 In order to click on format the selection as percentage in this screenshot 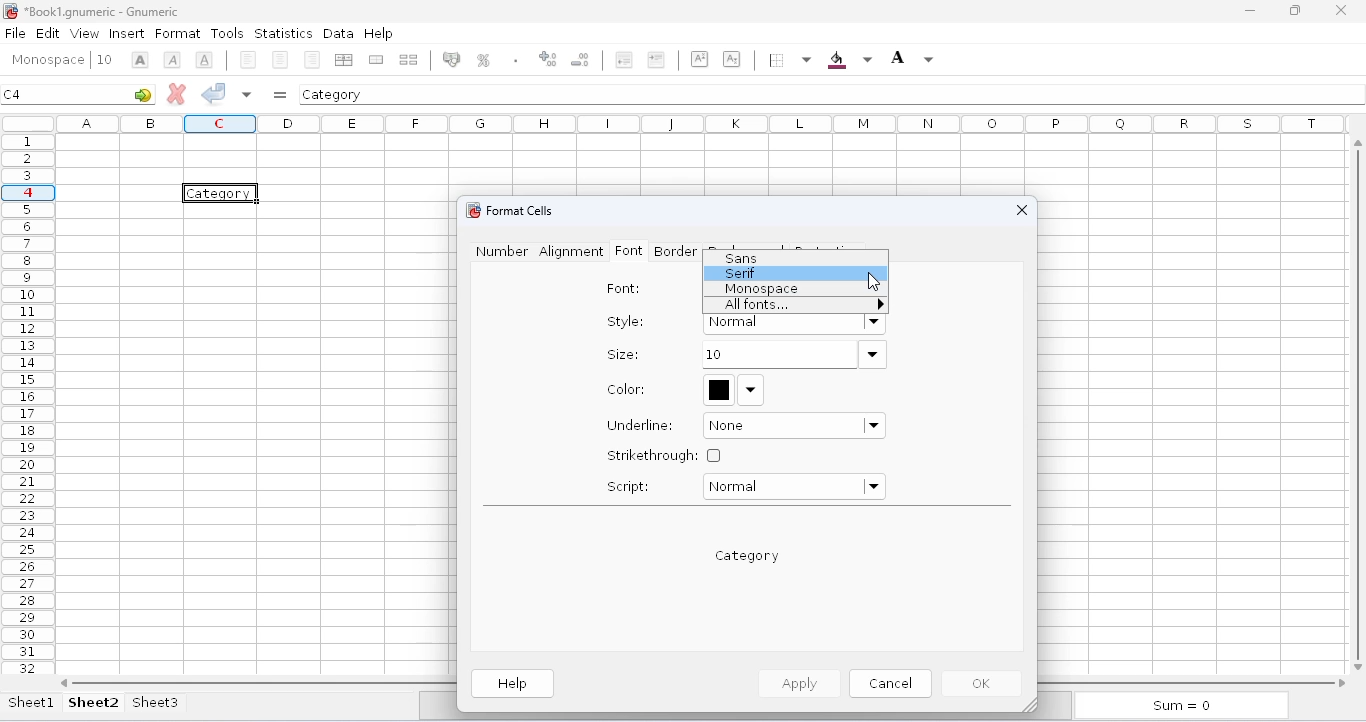, I will do `click(482, 60)`.